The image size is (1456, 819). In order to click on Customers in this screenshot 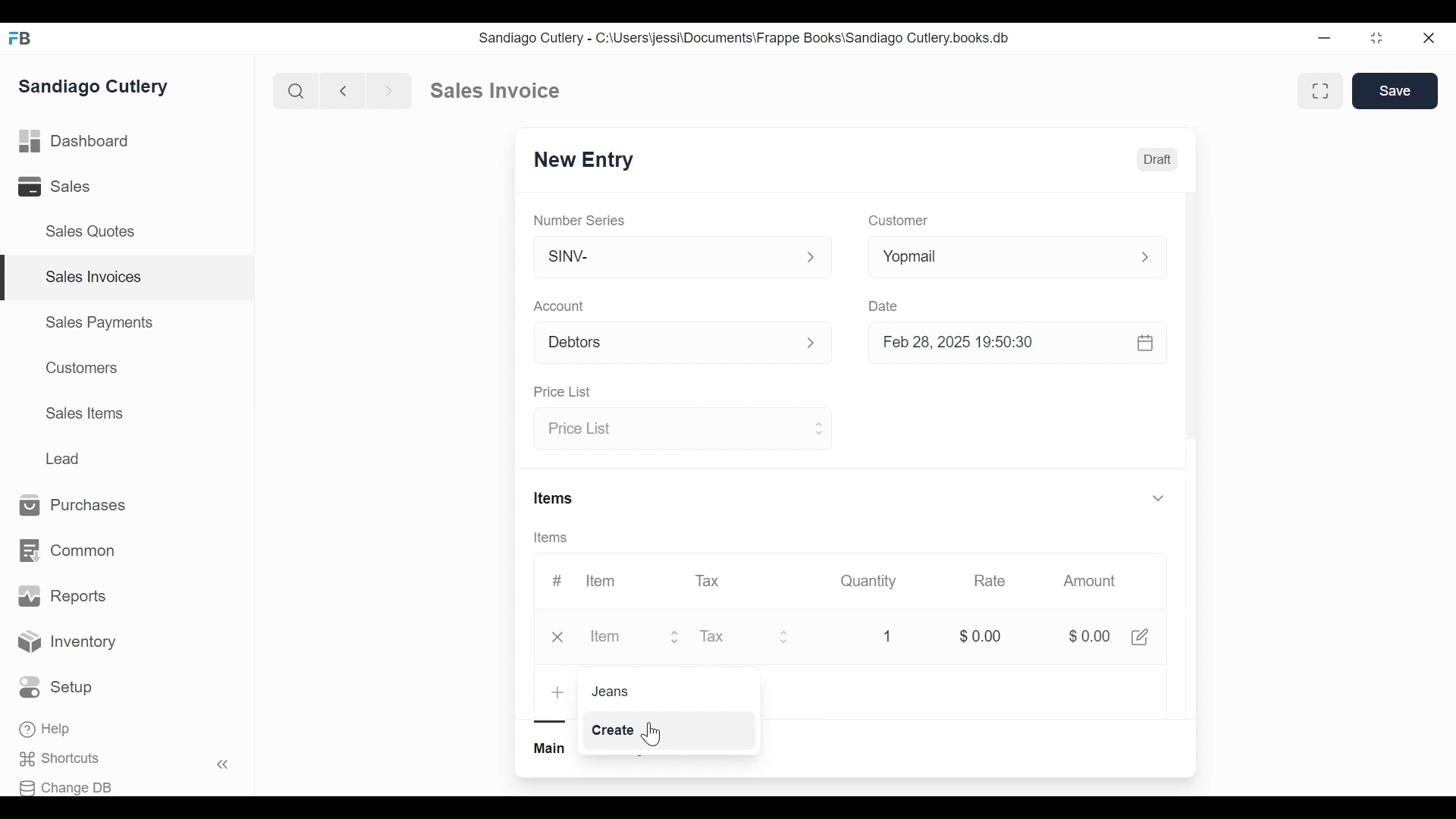, I will do `click(78, 368)`.